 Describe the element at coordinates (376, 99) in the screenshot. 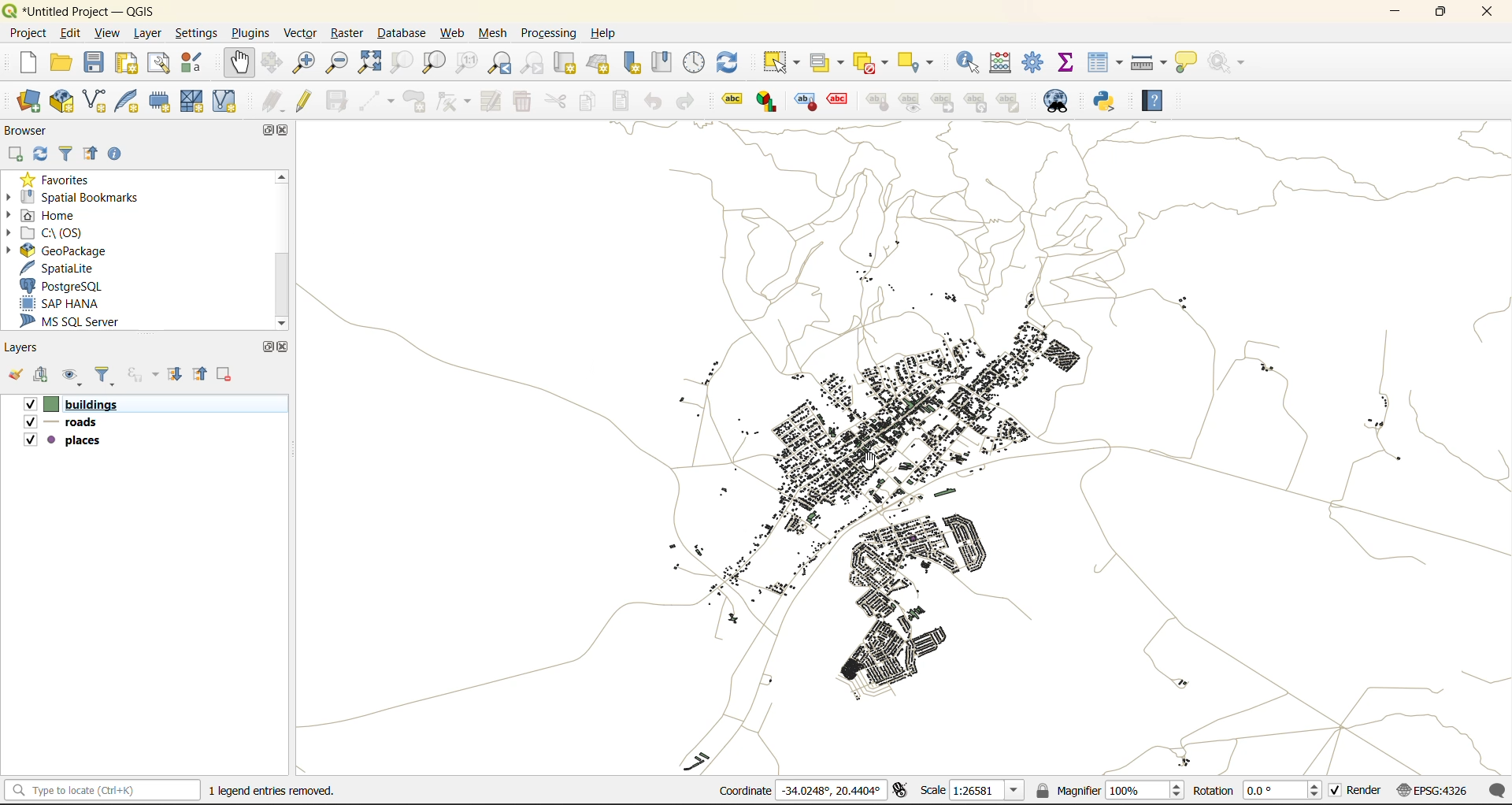

I see `digitize` at that location.